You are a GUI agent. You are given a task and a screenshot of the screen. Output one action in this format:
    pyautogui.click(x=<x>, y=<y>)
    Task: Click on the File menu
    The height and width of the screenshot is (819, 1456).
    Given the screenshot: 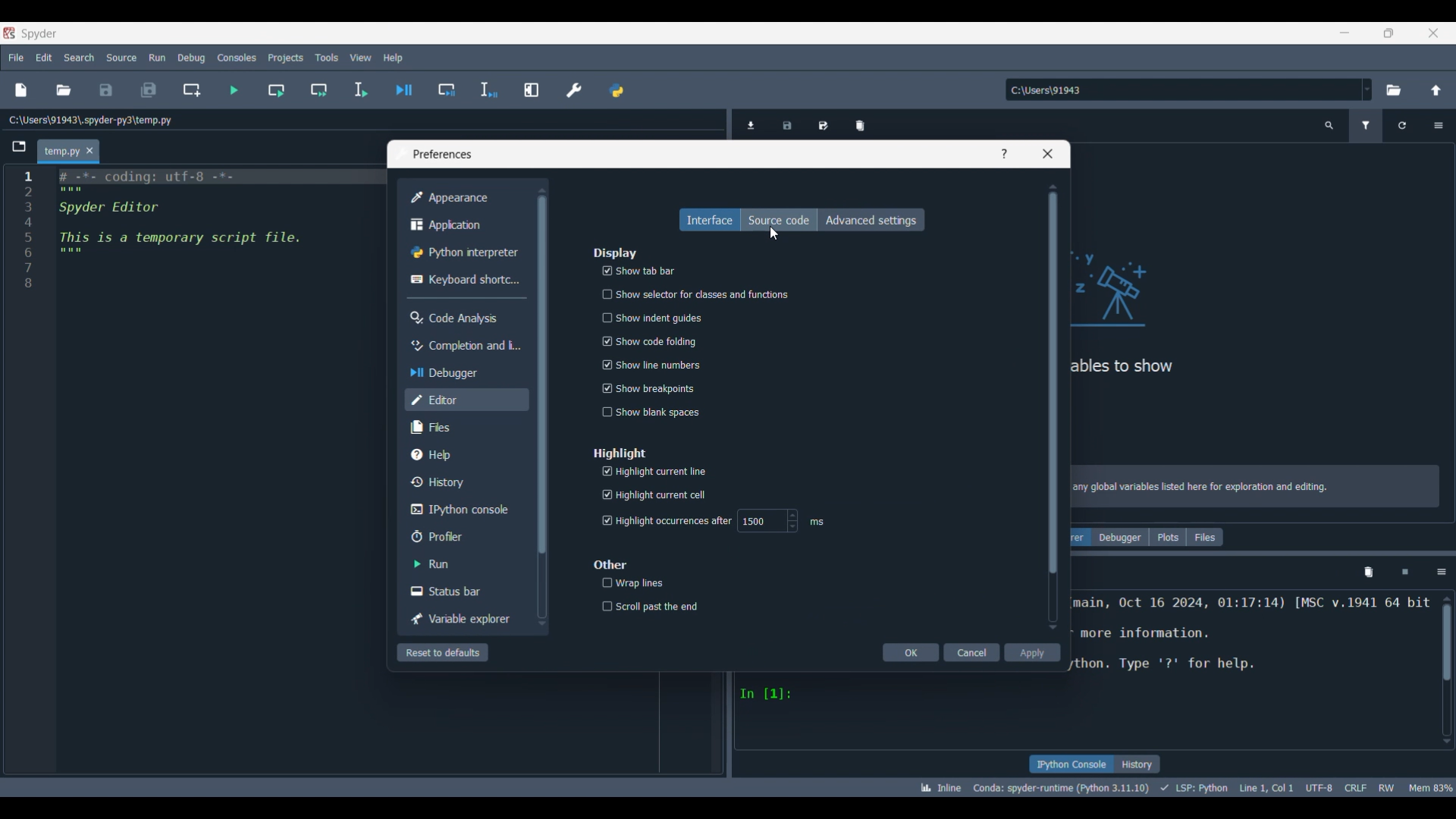 What is the action you would take?
    pyautogui.click(x=16, y=58)
    